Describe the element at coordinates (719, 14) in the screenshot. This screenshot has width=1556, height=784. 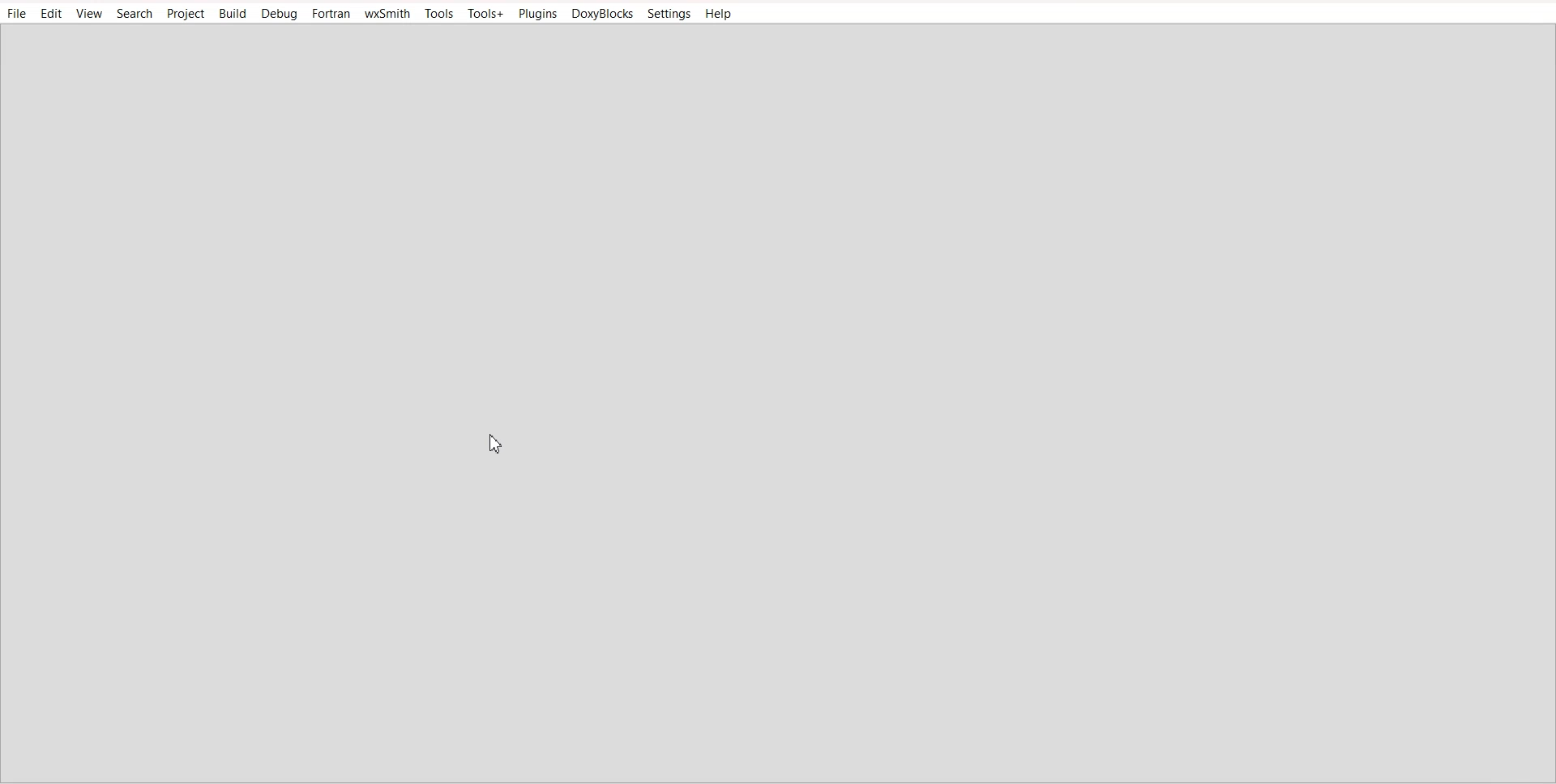
I see `Help` at that location.